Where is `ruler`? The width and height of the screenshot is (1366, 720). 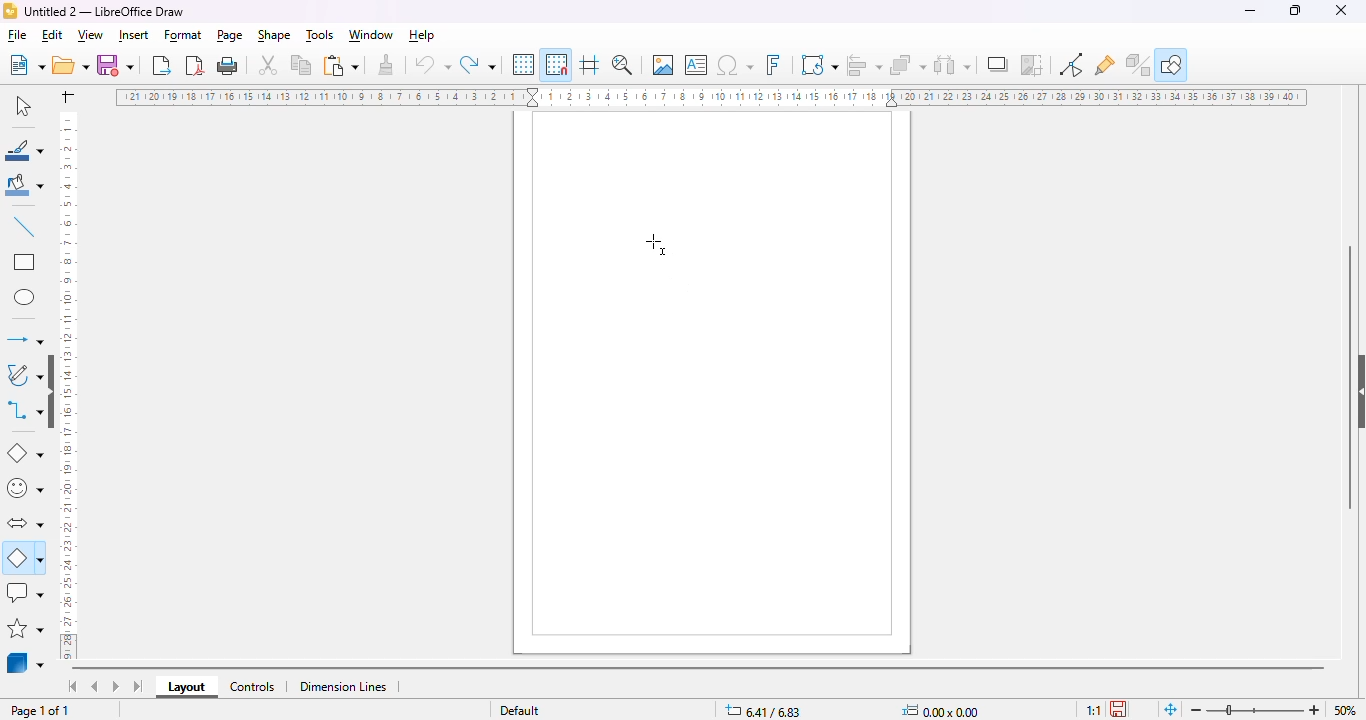
ruler is located at coordinates (710, 96).